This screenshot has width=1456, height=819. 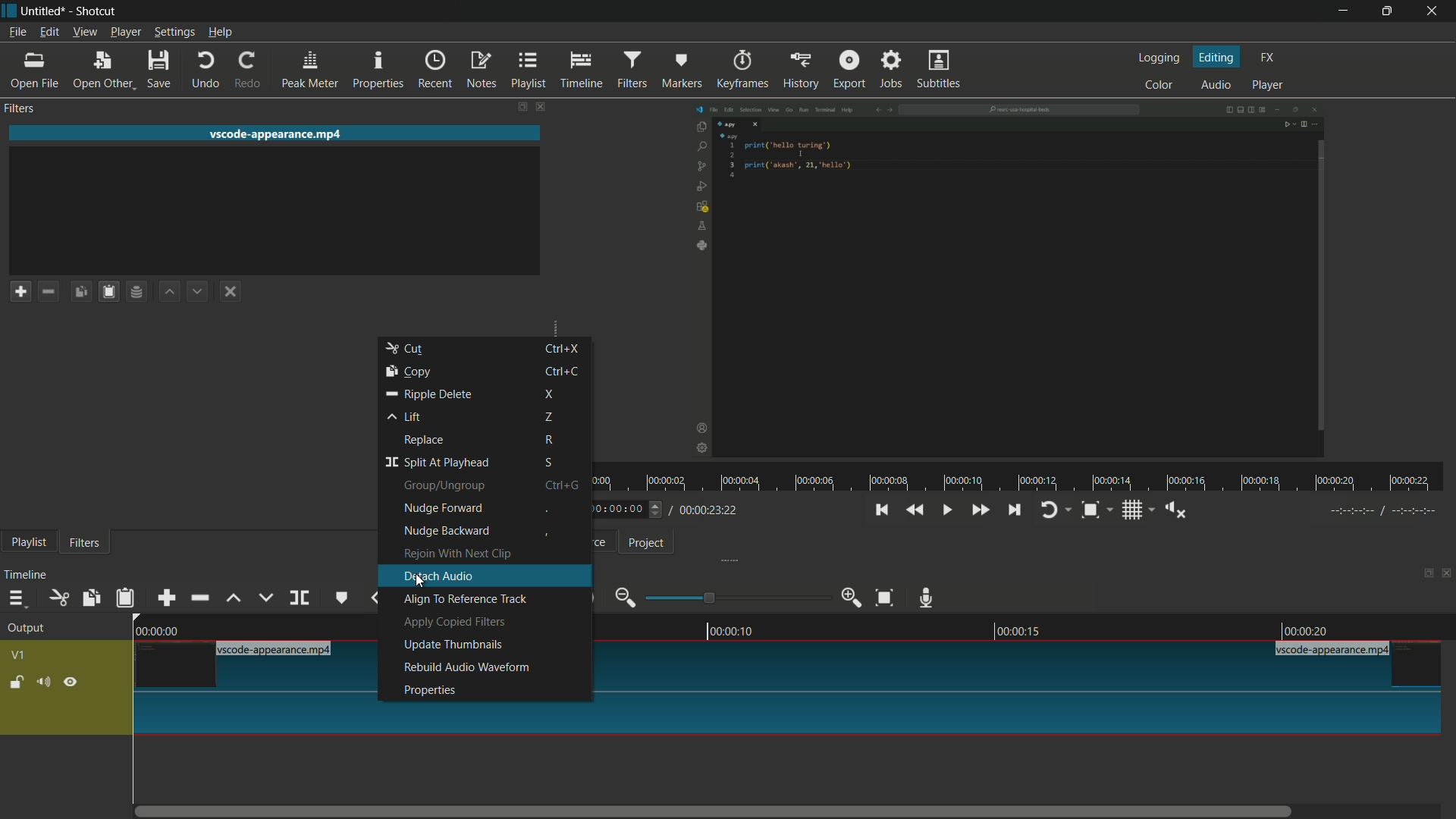 What do you see at coordinates (406, 350) in the screenshot?
I see `cut` at bounding box center [406, 350].